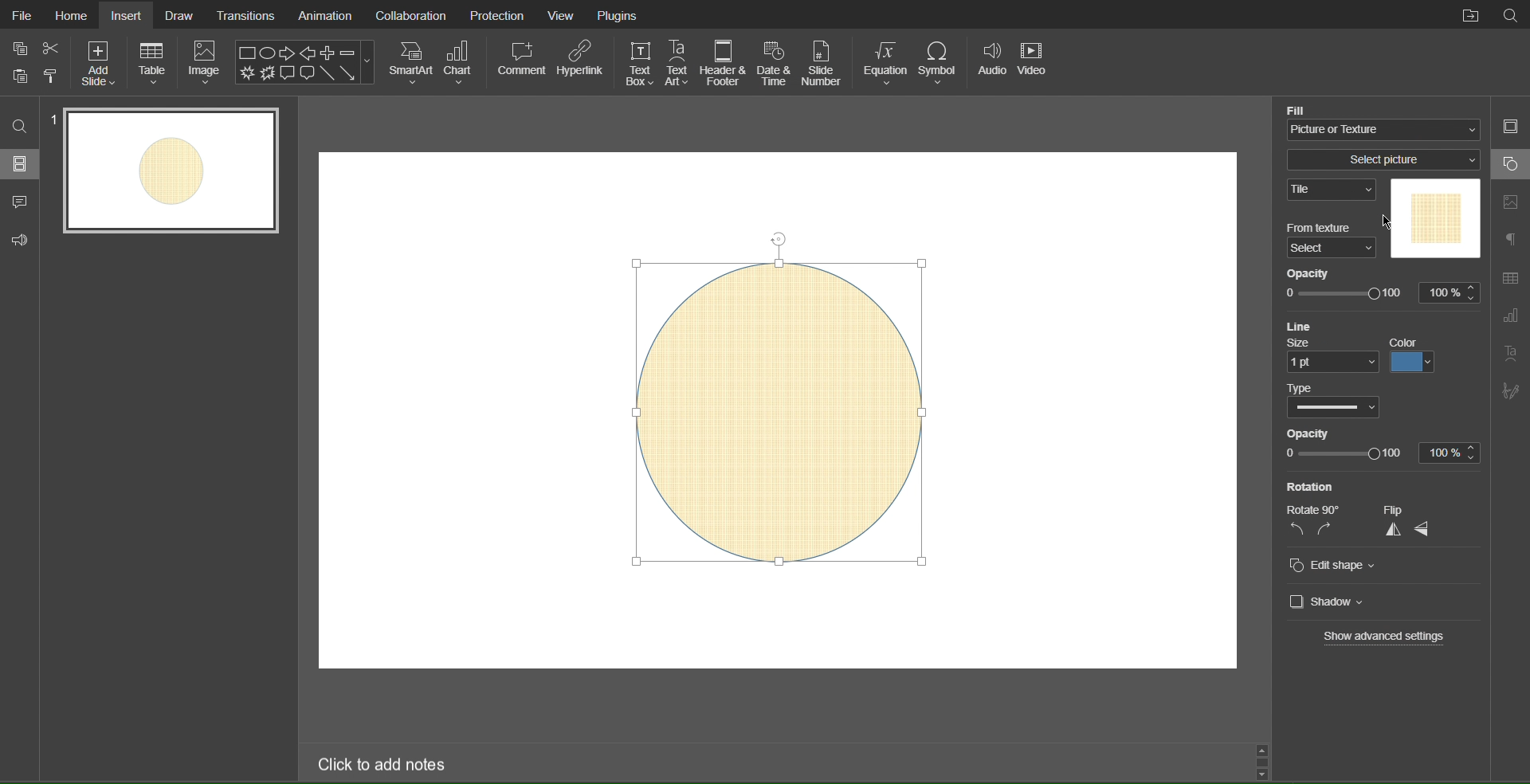  What do you see at coordinates (20, 237) in the screenshot?
I see `Feedback and Support` at bounding box center [20, 237].